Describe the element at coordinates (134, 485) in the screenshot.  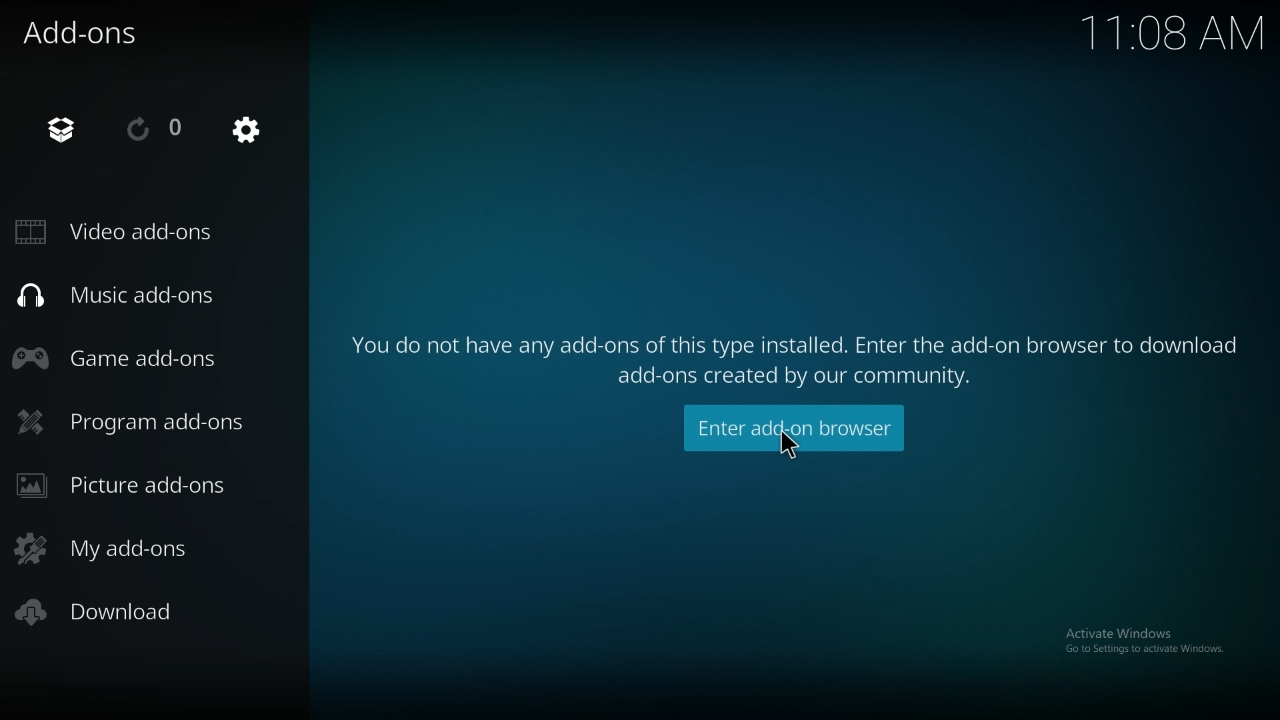
I see `picture add ons` at that location.